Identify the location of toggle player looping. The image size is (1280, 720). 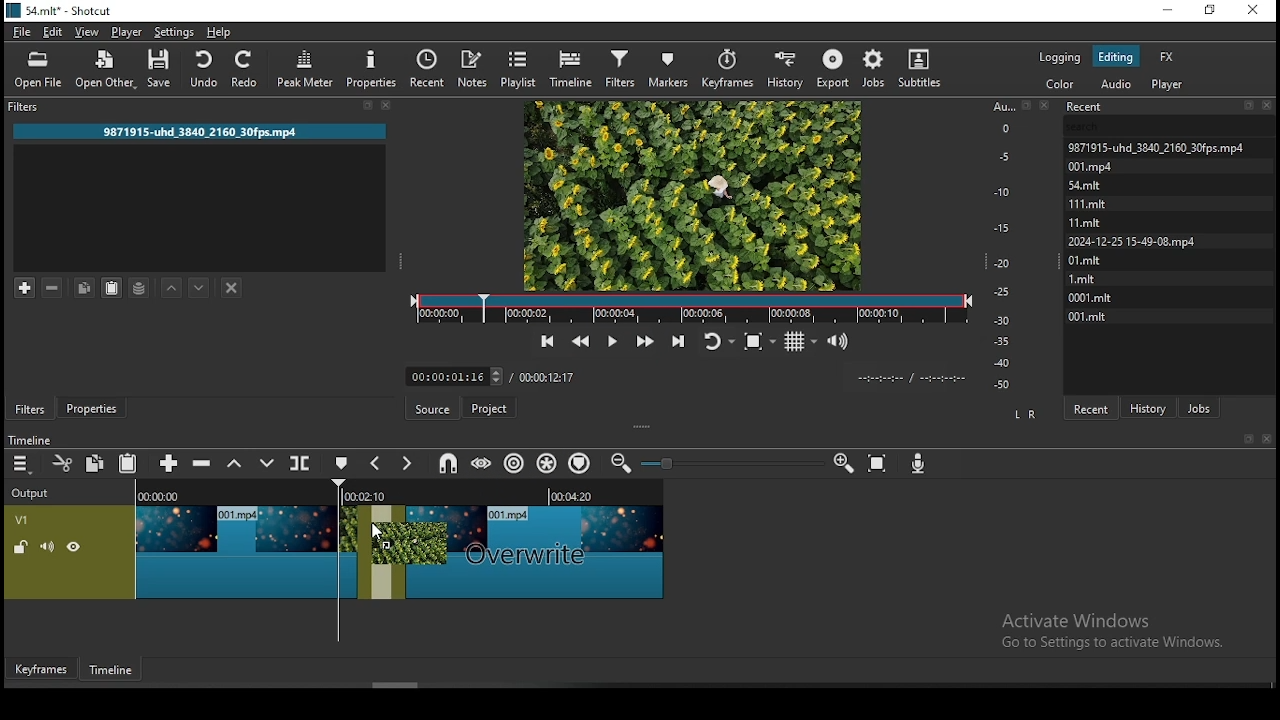
(717, 339).